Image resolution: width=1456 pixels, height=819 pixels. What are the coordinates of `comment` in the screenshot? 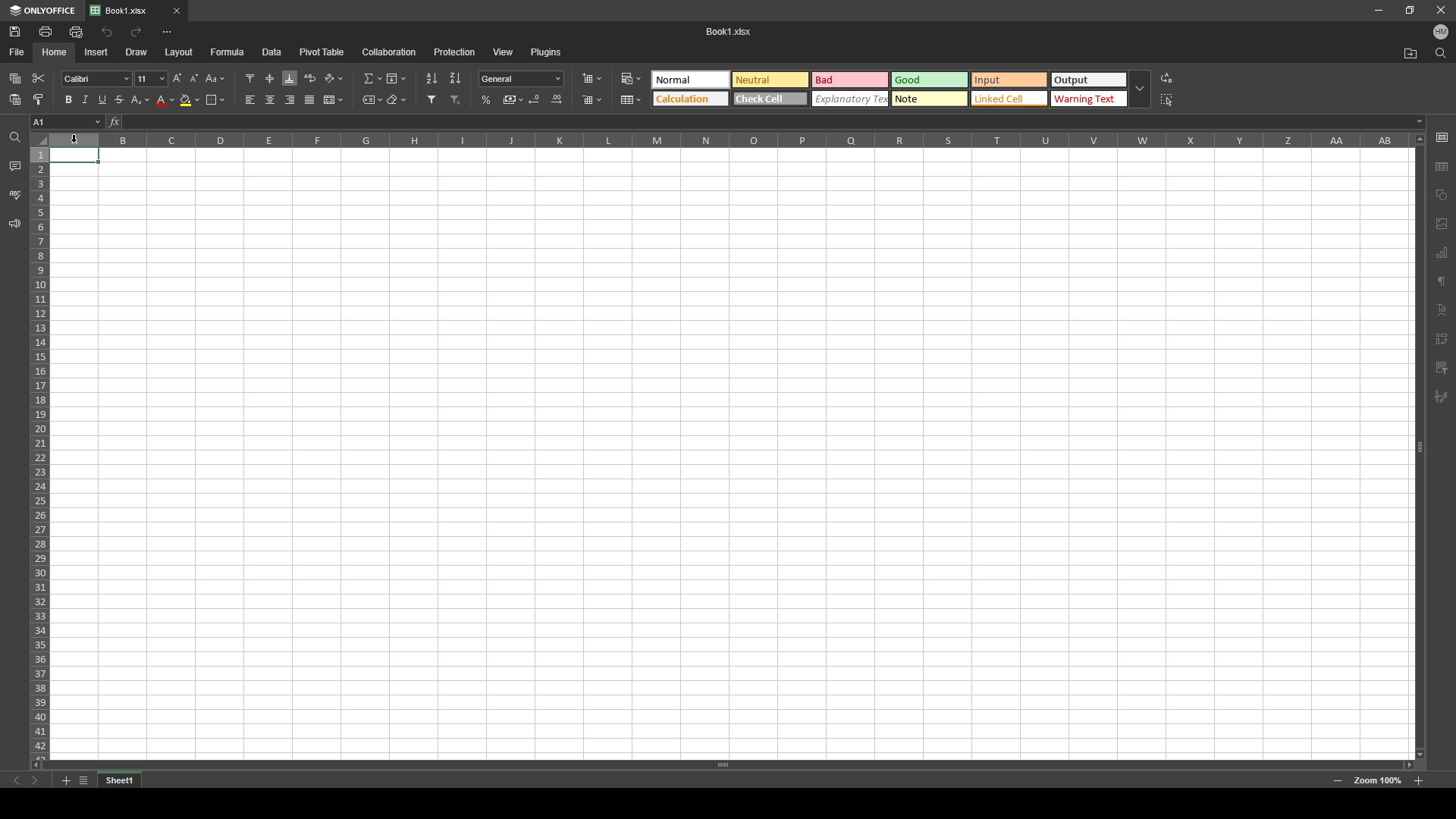 It's located at (1442, 368).